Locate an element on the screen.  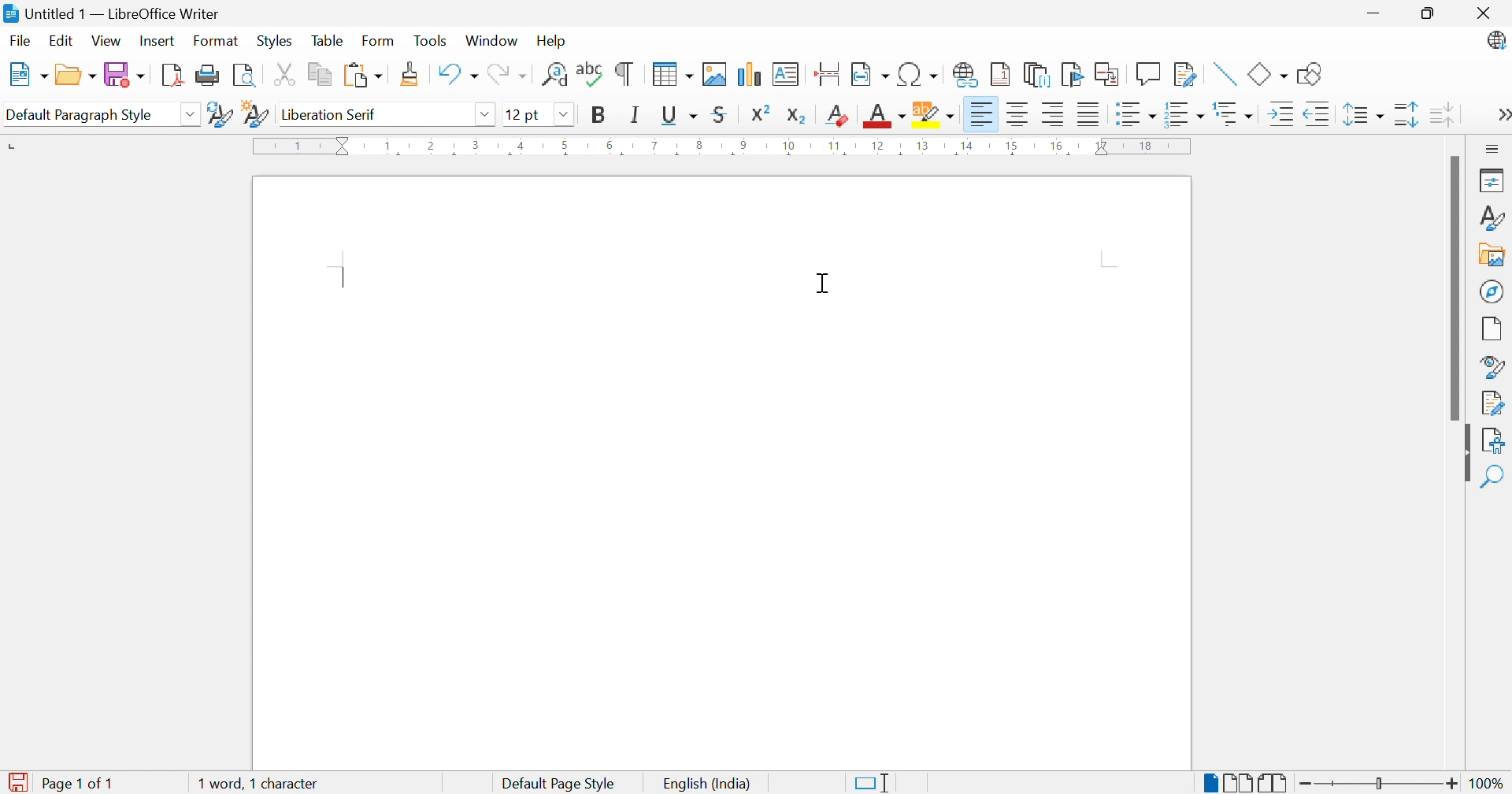
Slider is located at coordinates (1380, 784).